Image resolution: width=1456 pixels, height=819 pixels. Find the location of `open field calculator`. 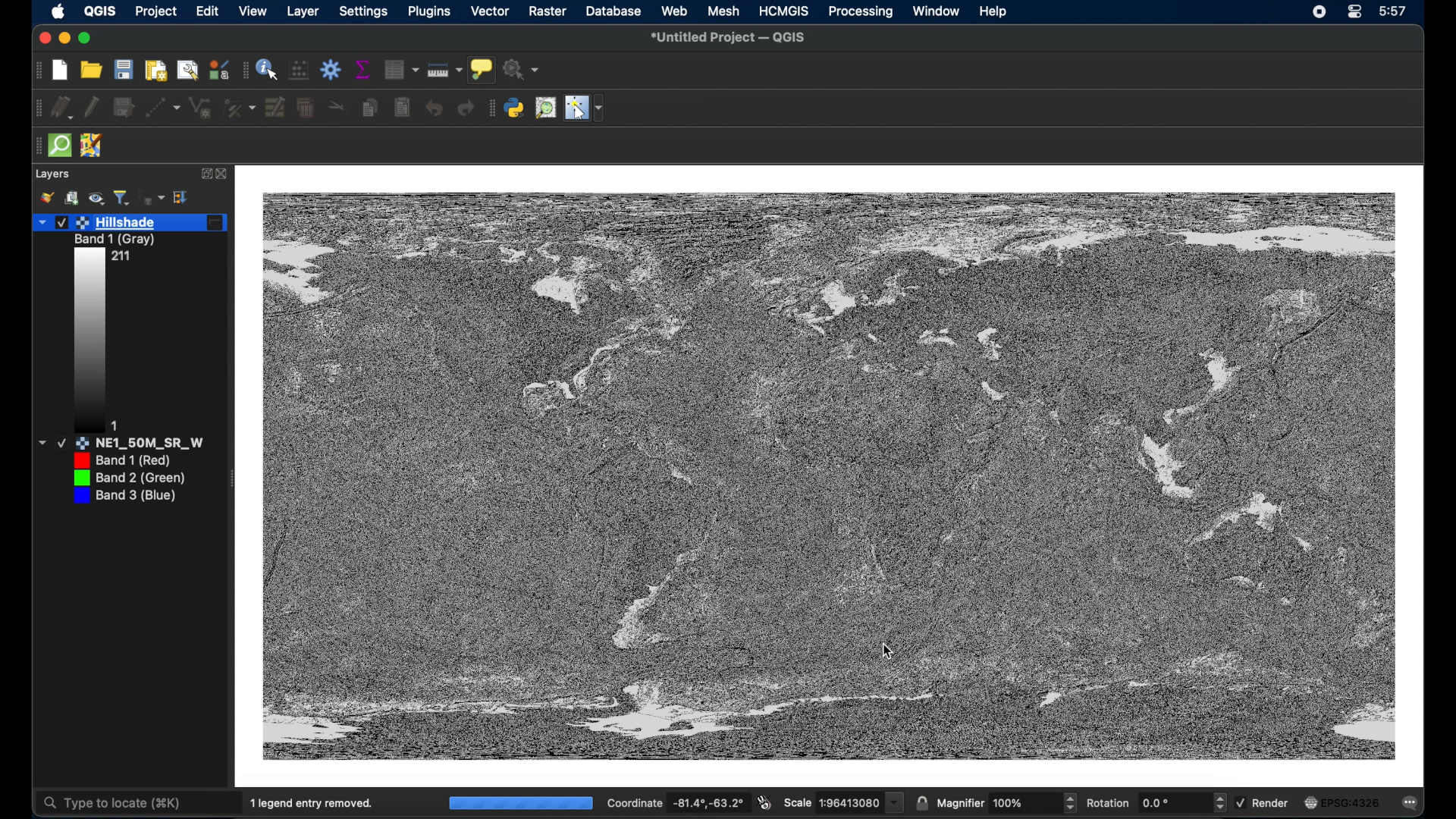

open field calculator is located at coordinates (300, 71).